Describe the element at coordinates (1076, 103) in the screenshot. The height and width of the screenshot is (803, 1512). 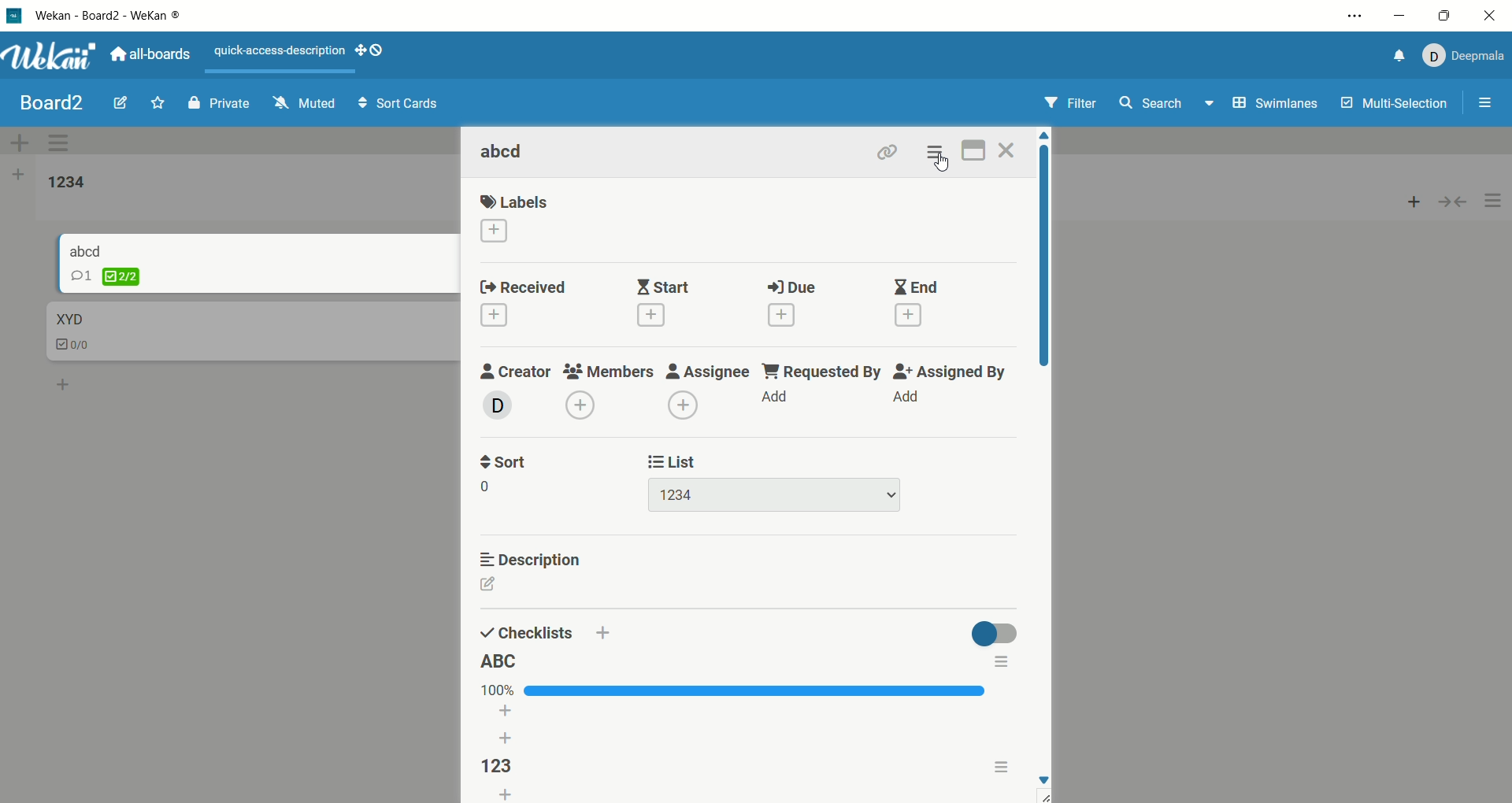
I see `filter` at that location.